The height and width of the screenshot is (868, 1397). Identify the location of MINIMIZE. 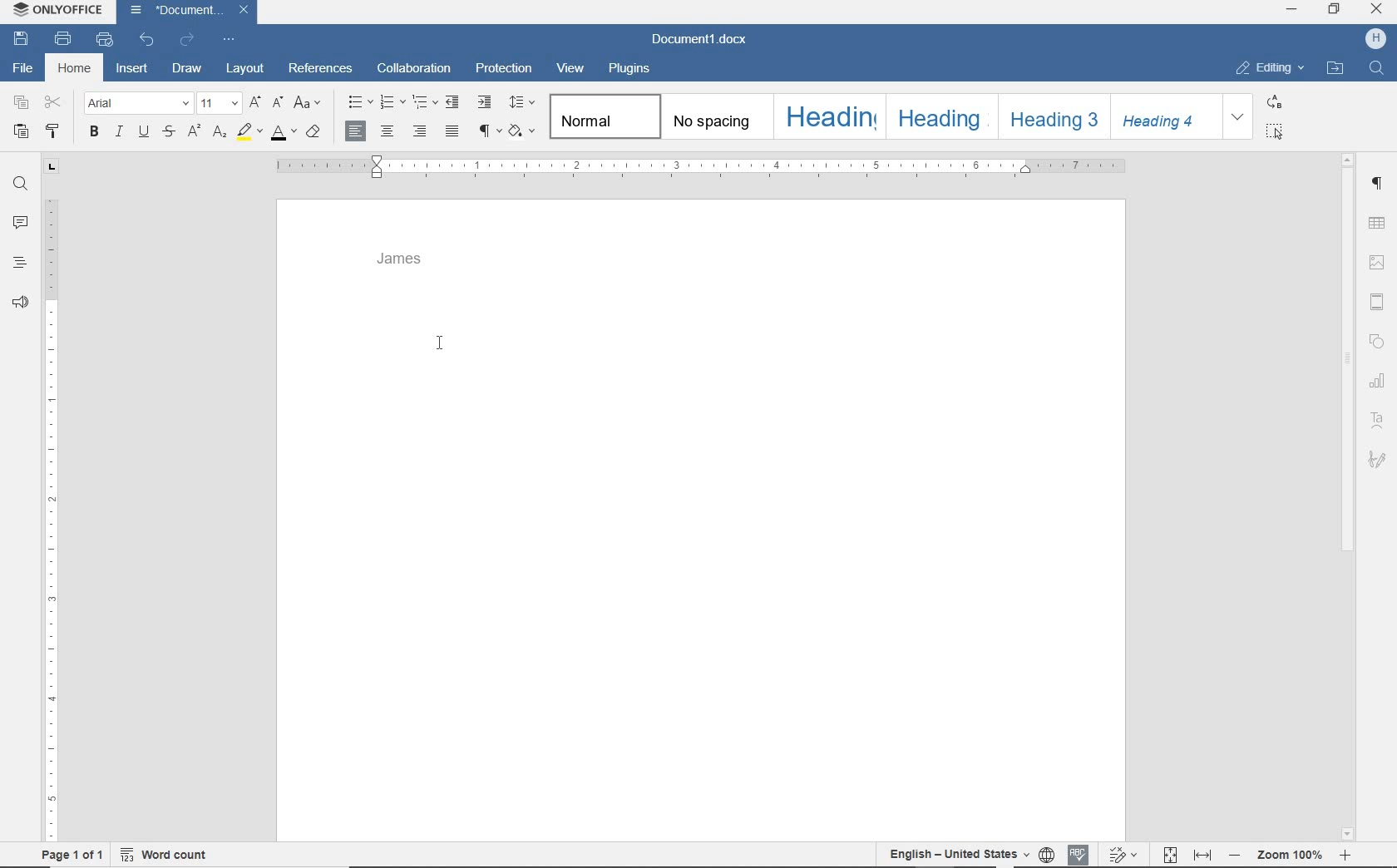
(1293, 11).